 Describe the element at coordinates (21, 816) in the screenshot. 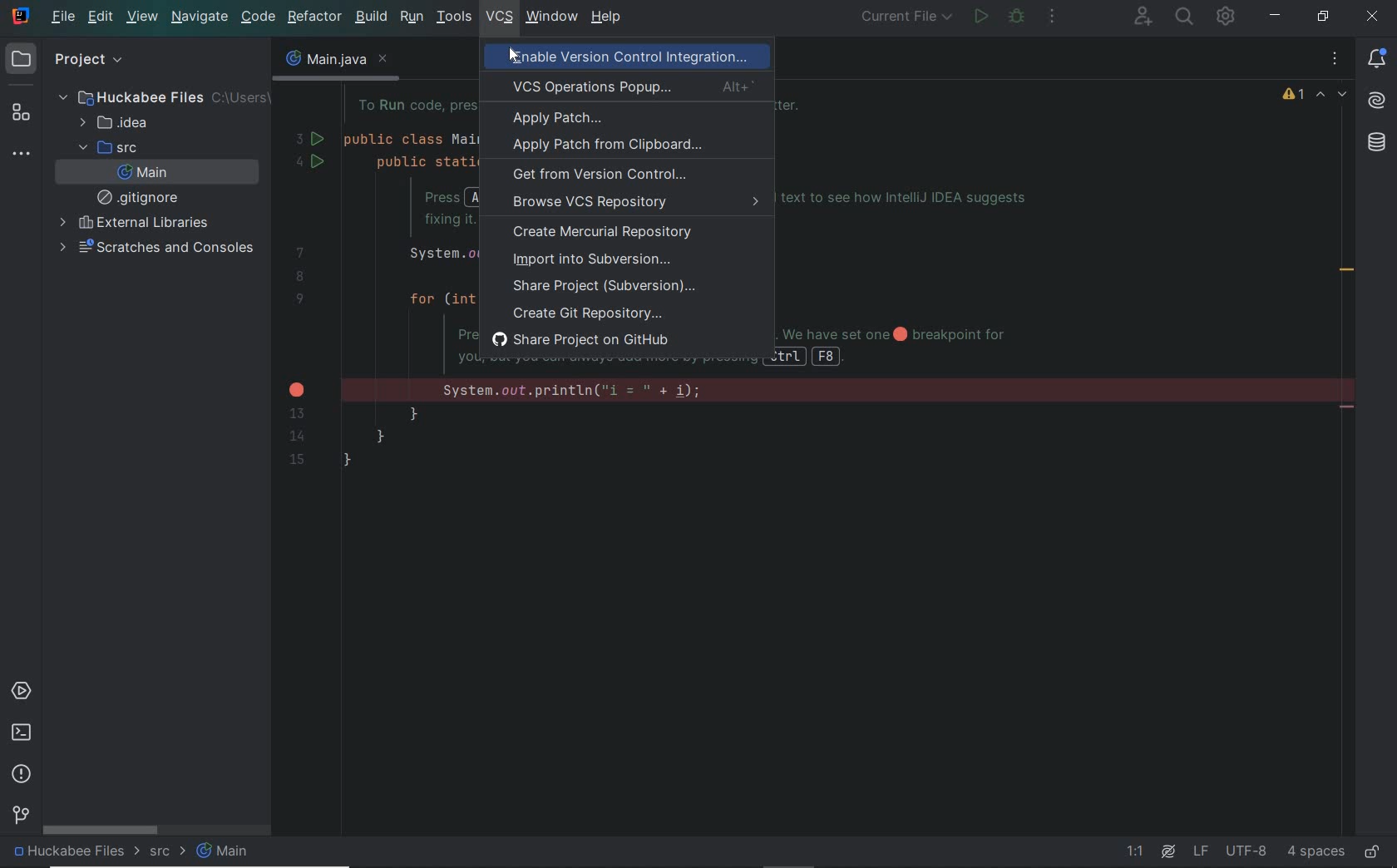

I see `version control` at that location.